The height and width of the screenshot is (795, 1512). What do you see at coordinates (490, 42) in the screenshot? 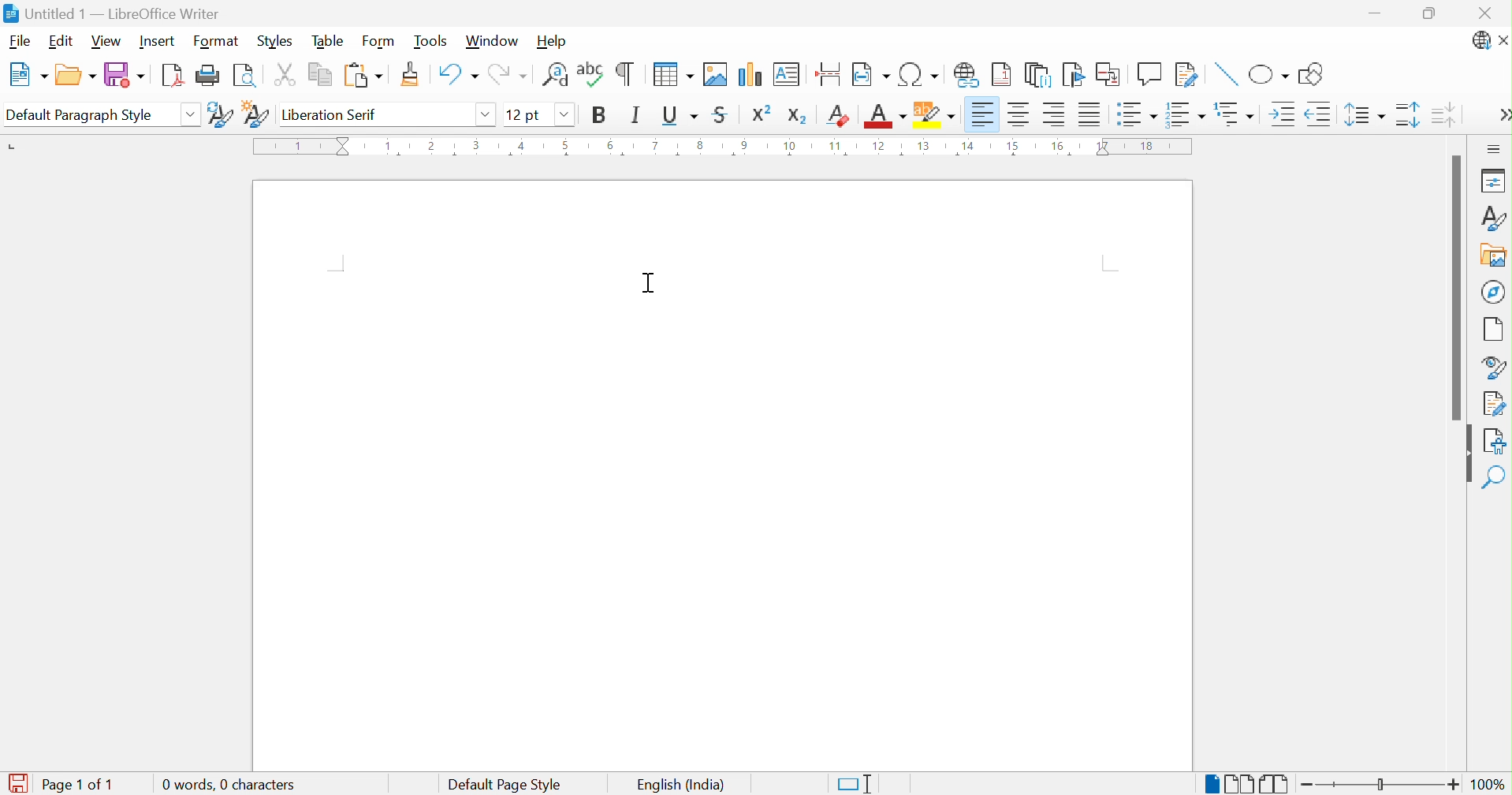
I see `Window` at bounding box center [490, 42].